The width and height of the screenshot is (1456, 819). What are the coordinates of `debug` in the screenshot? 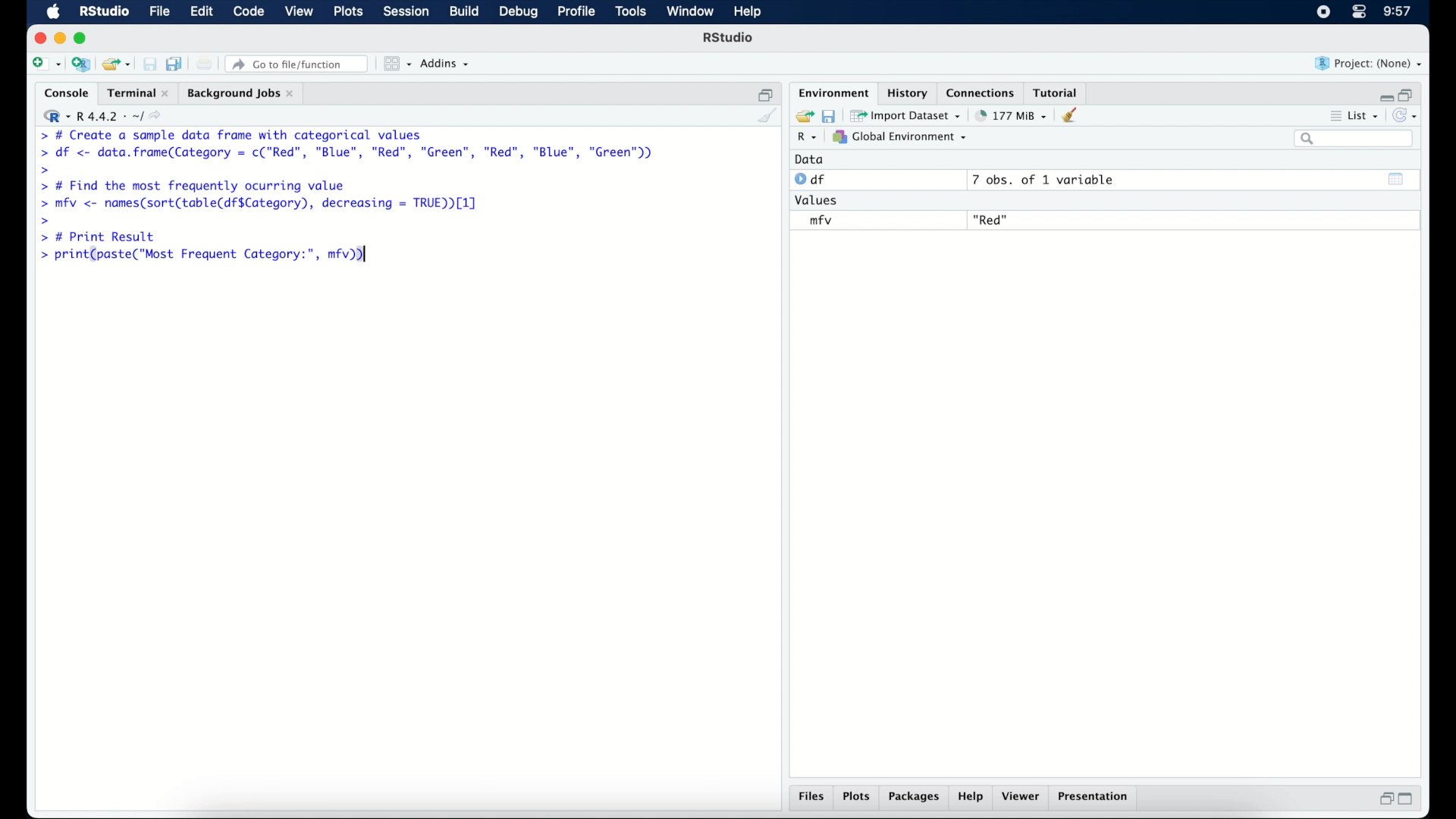 It's located at (517, 13).